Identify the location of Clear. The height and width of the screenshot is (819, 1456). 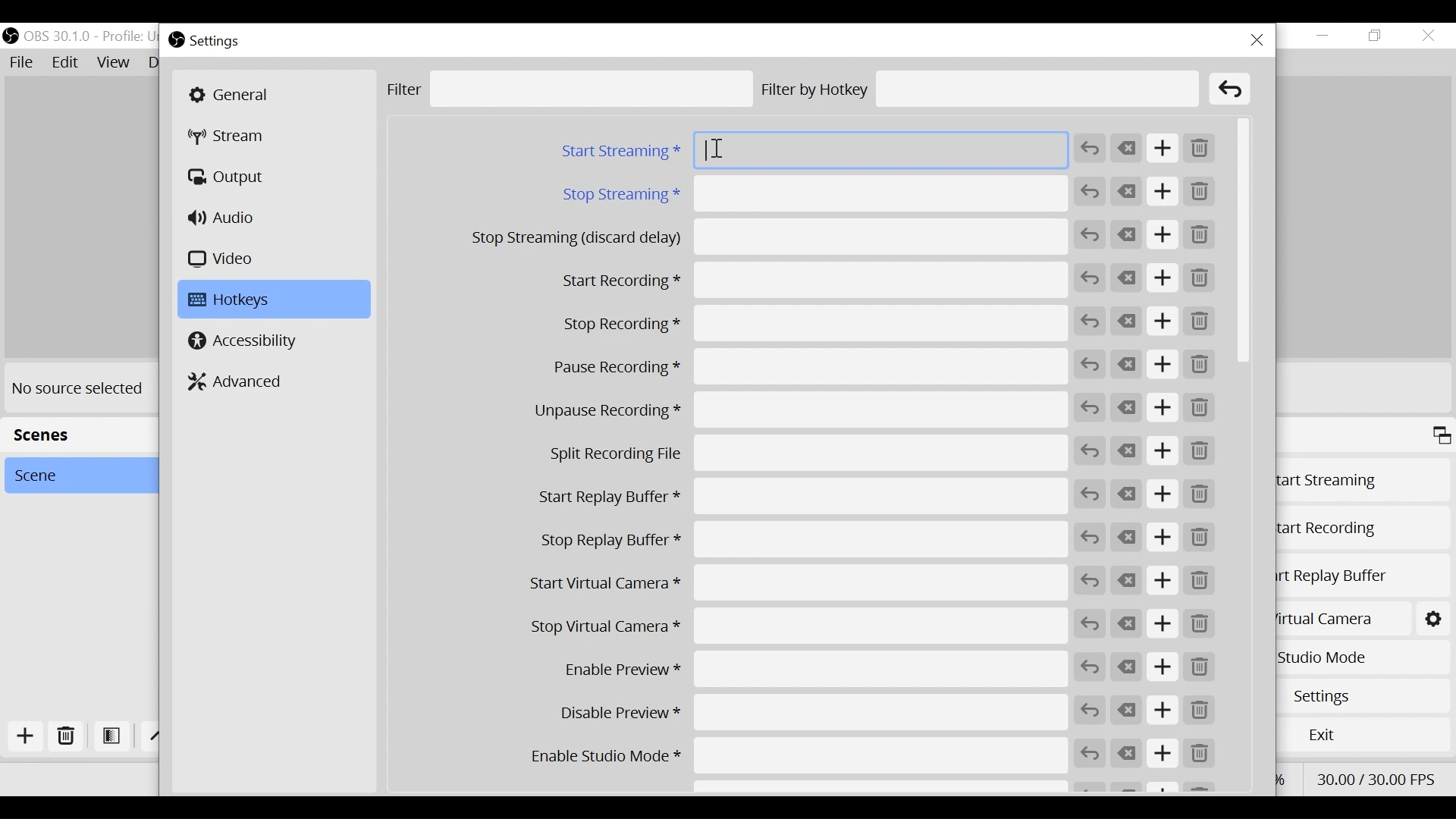
(1125, 494).